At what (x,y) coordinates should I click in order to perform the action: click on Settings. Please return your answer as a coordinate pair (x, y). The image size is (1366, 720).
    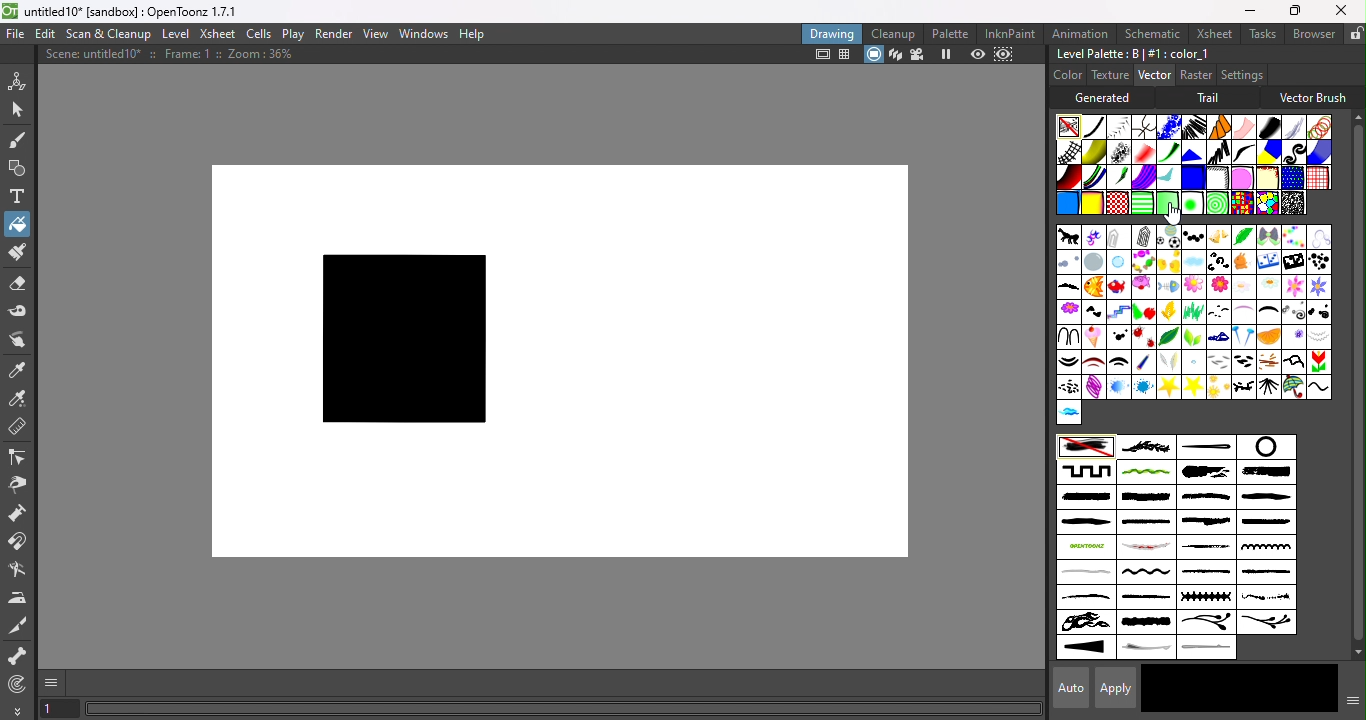
    Looking at the image, I should click on (1241, 74).